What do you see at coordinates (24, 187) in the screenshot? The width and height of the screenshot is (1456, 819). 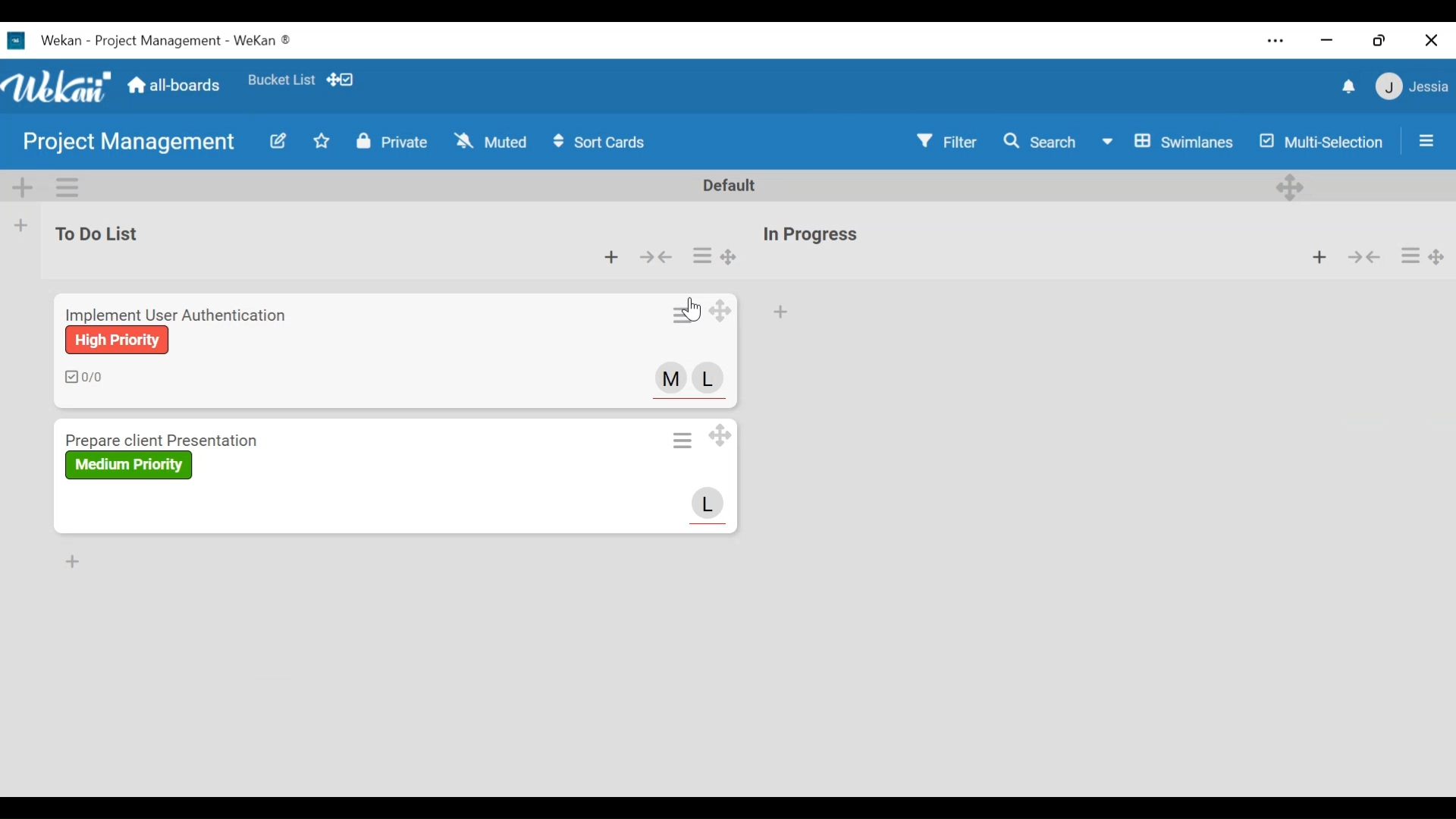 I see `Add Swimlane` at bounding box center [24, 187].